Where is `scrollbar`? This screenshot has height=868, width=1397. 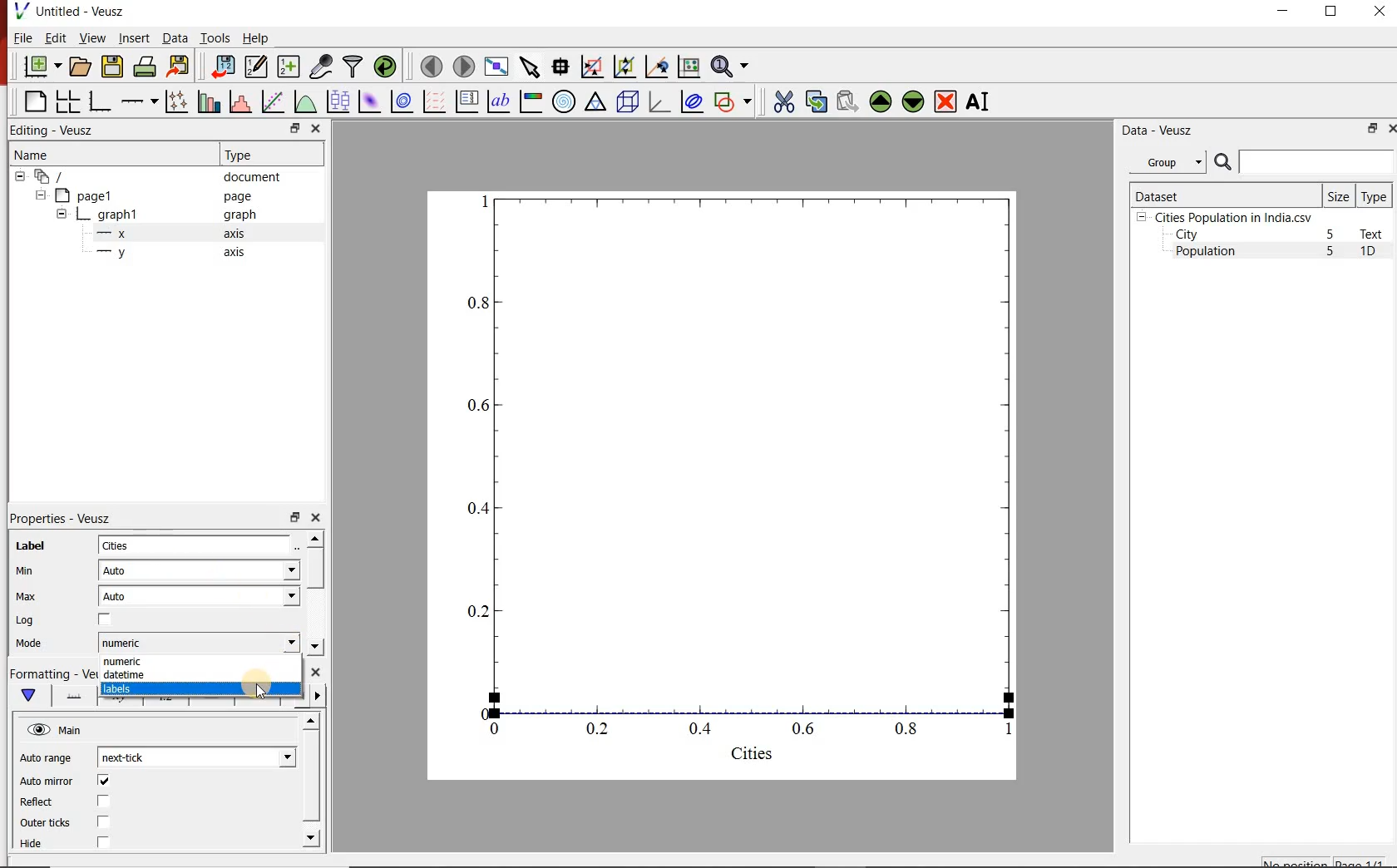
scrollbar is located at coordinates (315, 594).